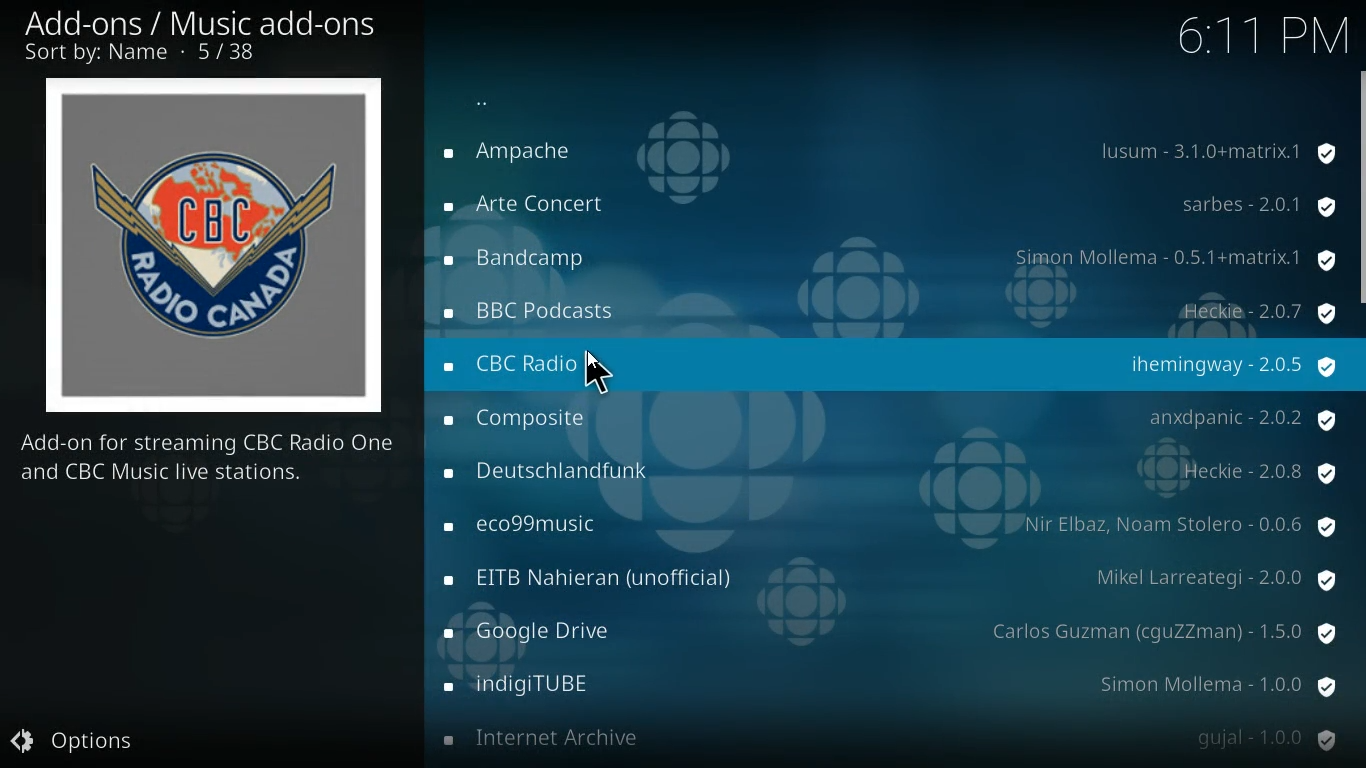 This screenshot has height=768, width=1366. Describe the element at coordinates (514, 151) in the screenshot. I see `radio name` at that location.